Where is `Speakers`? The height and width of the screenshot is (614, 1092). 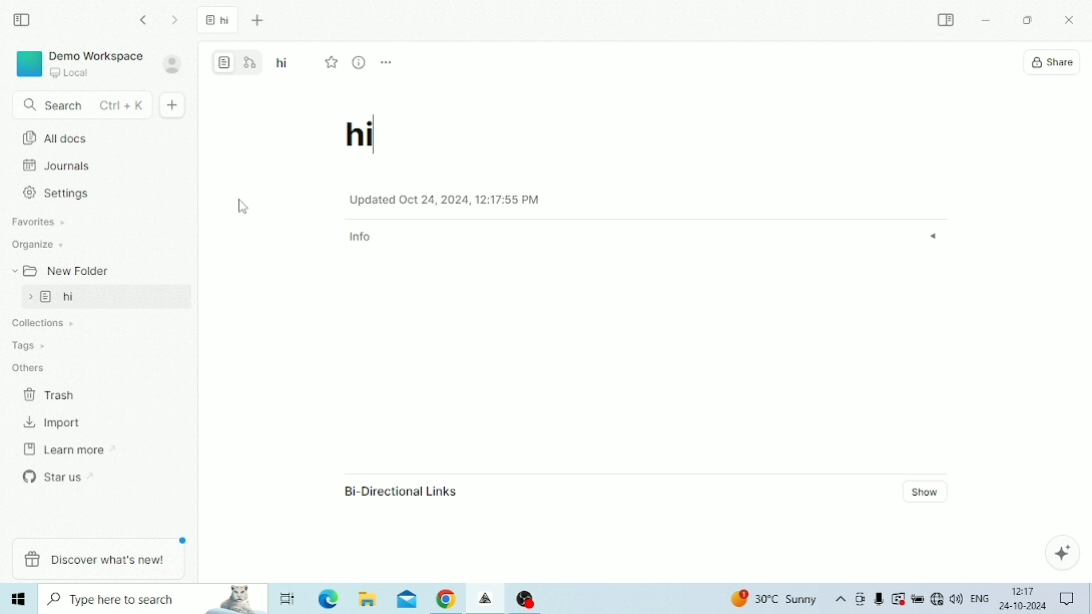 Speakers is located at coordinates (956, 597).